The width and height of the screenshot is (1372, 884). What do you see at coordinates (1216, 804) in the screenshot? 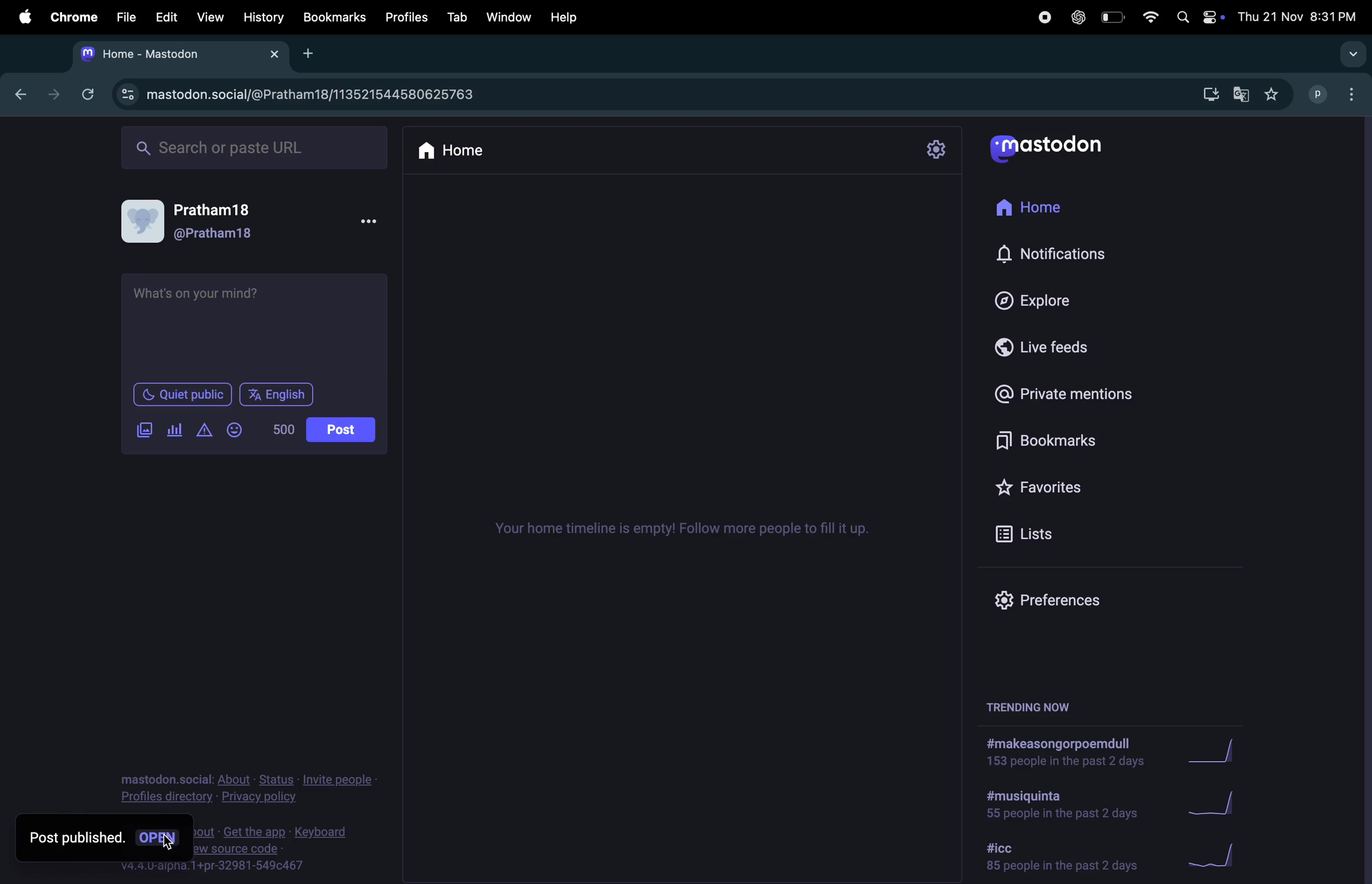
I see `graph` at bounding box center [1216, 804].